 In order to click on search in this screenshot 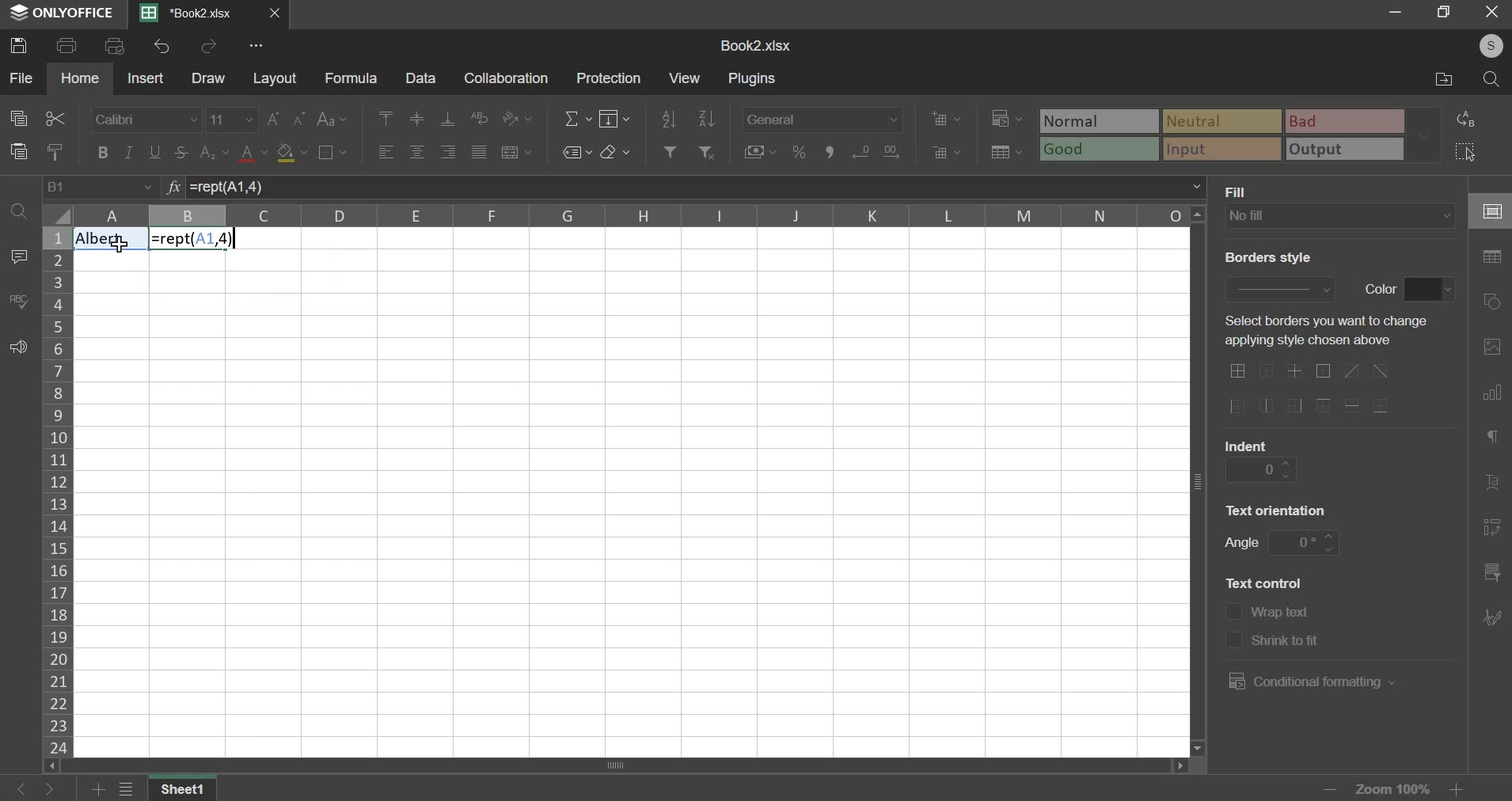, I will do `click(1487, 78)`.